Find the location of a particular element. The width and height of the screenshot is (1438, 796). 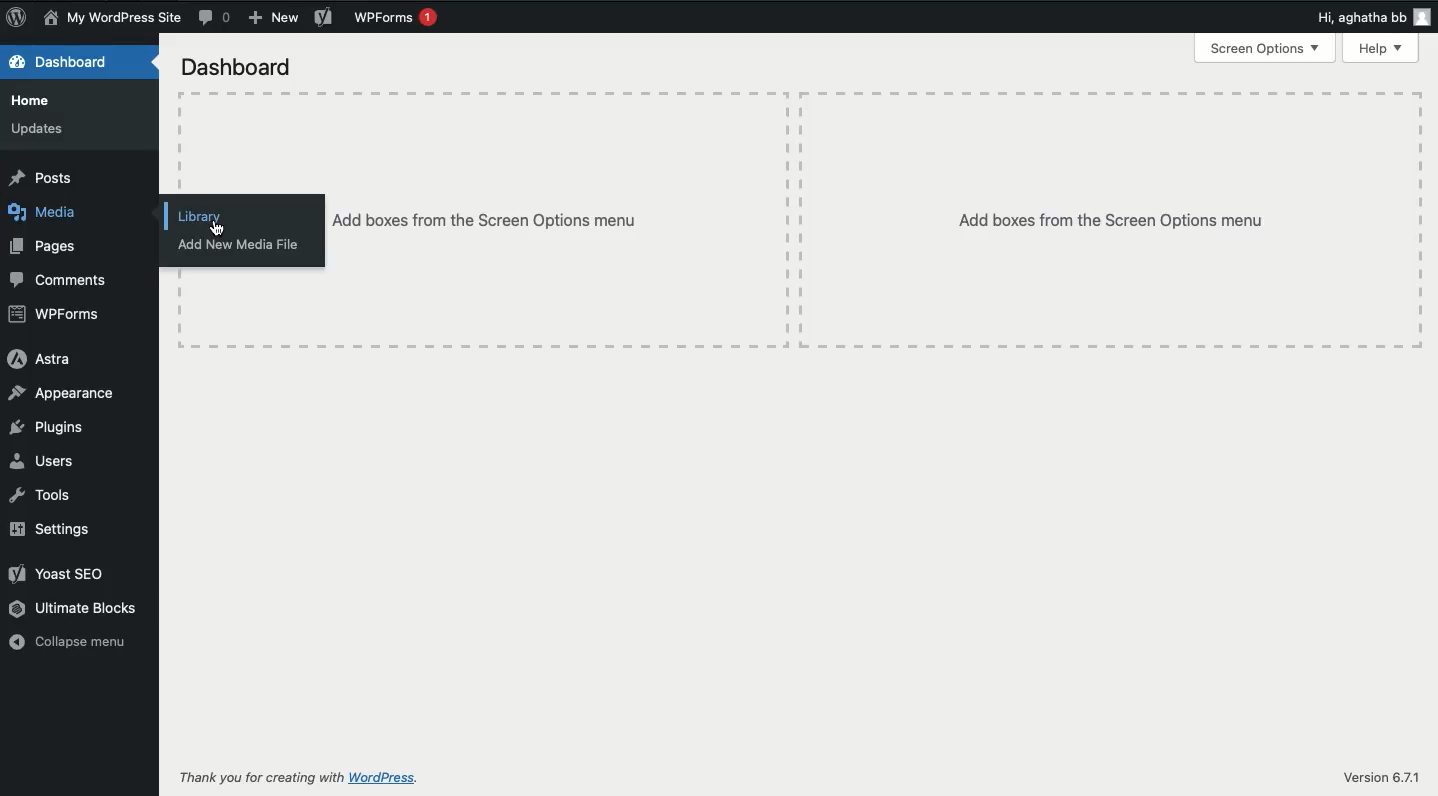

cursor is located at coordinates (219, 229).